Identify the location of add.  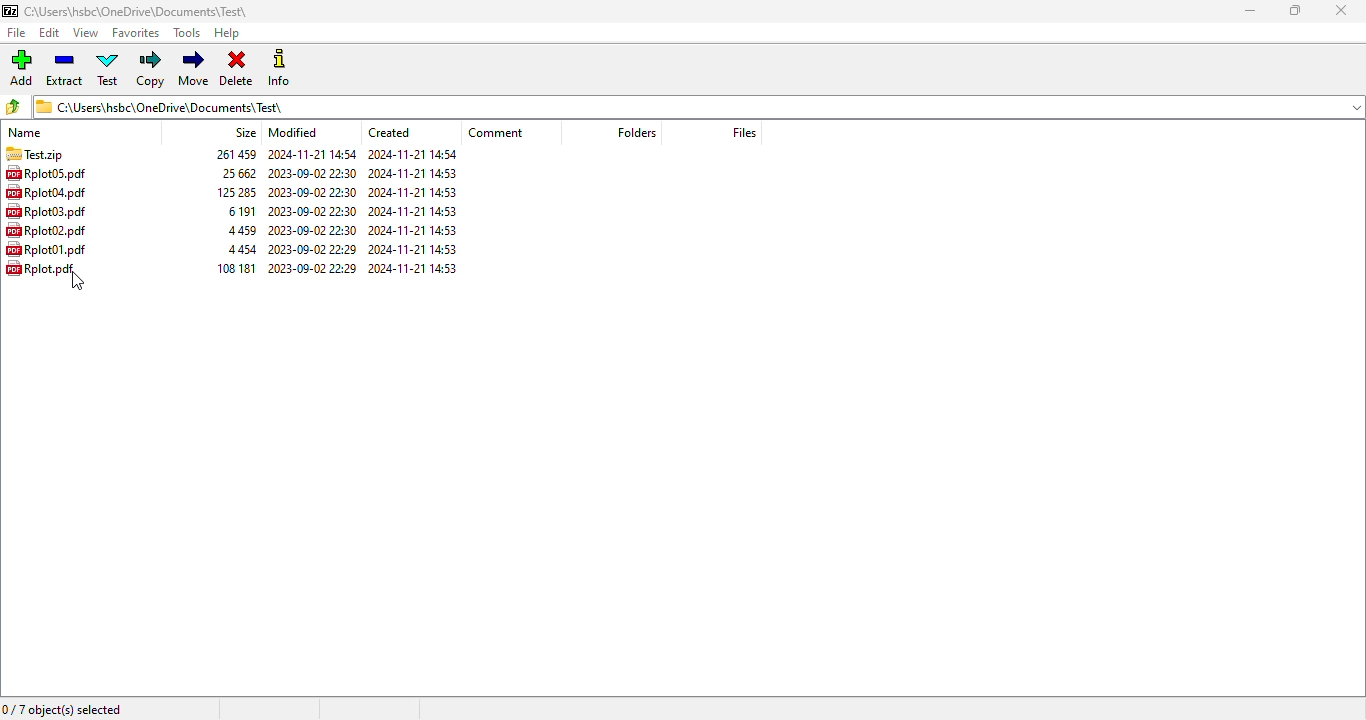
(21, 67).